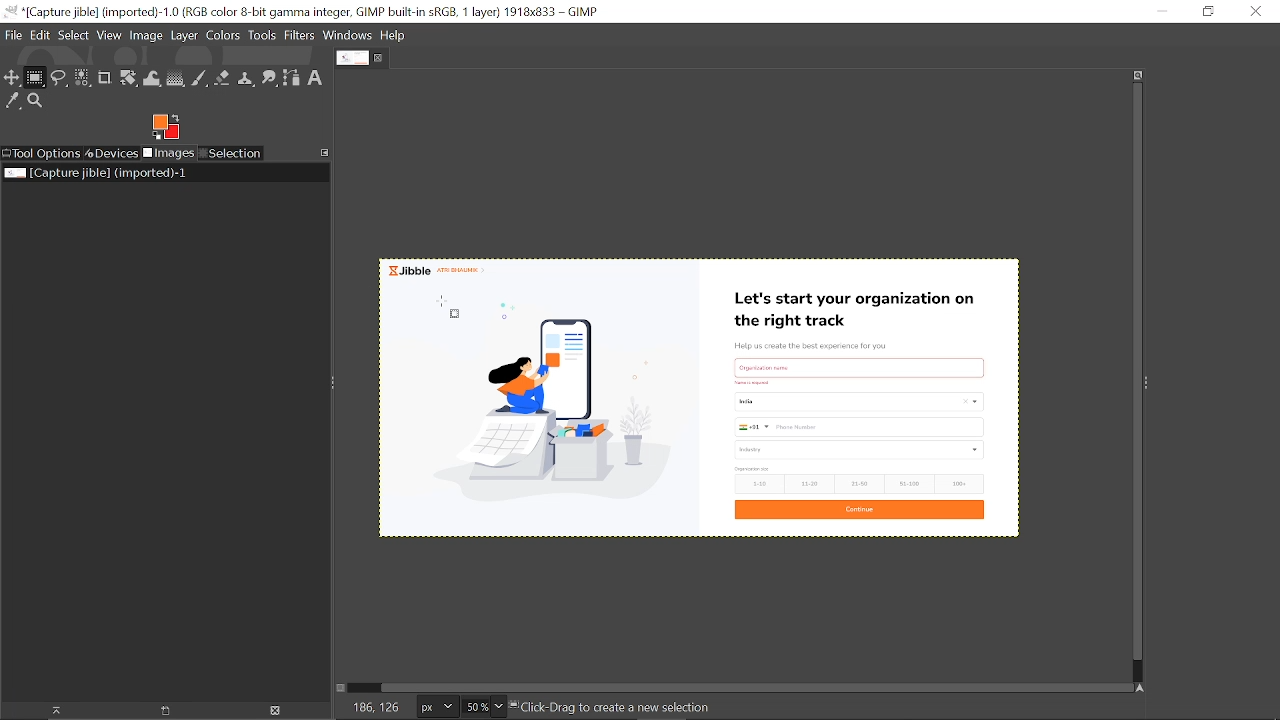 Image resolution: width=1280 pixels, height=720 pixels. What do you see at coordinates (74, 35) in the screenshot?
I see `Select` at bounding box center [74, 35].